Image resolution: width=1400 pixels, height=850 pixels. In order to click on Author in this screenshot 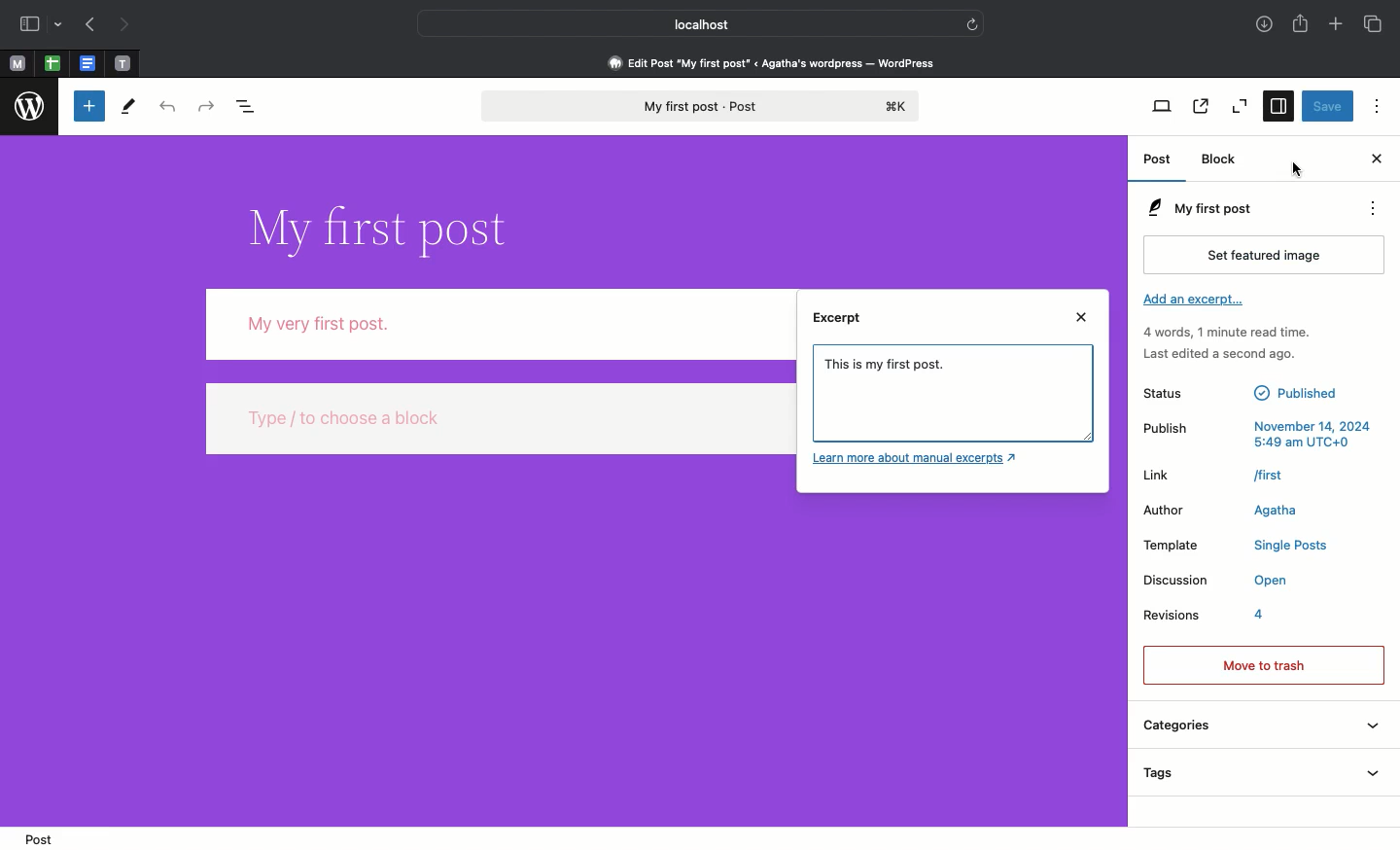, I will do `click(1230, 510)`.